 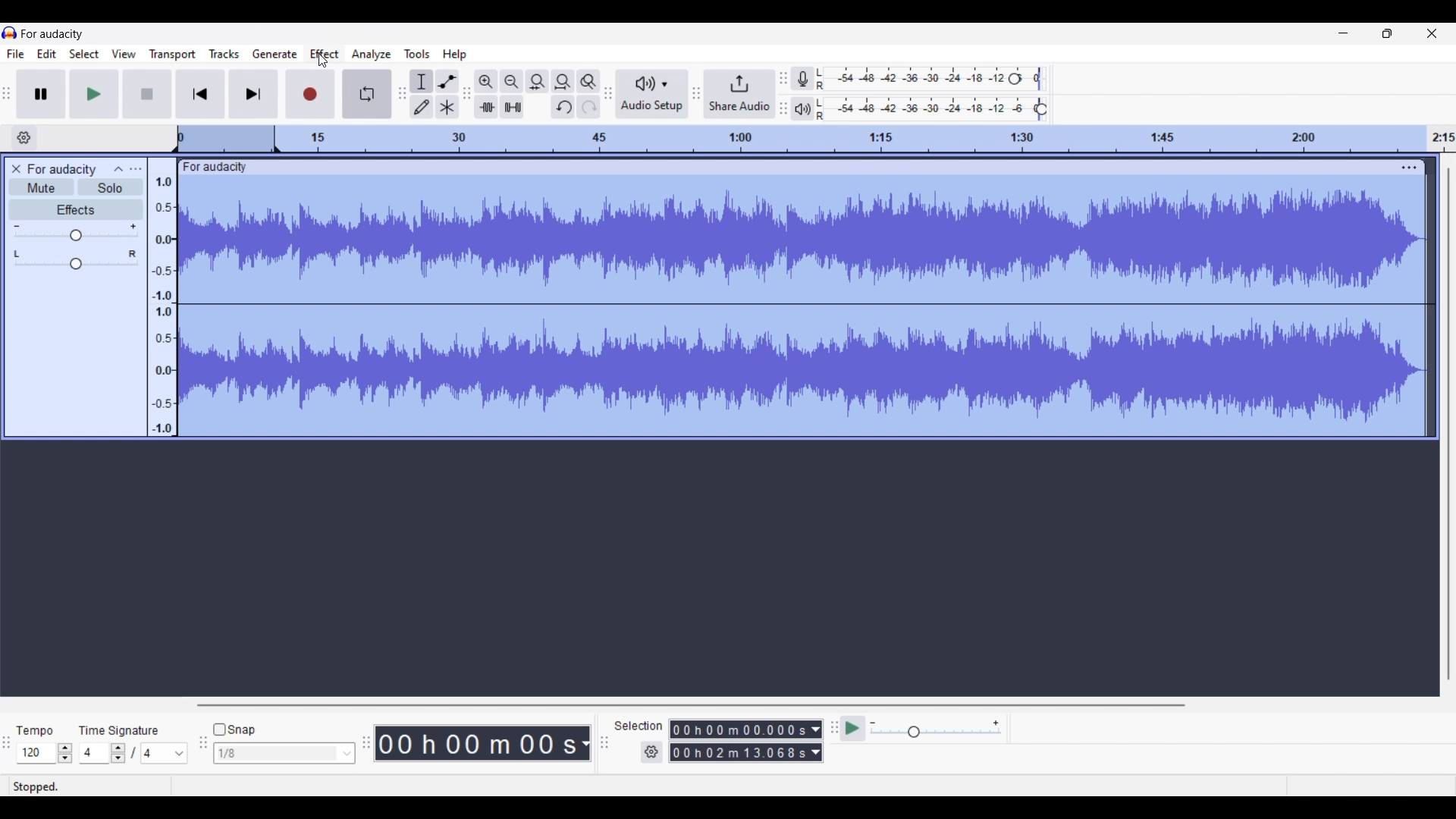 What do you see at coordinates (1042, 109) in the screenshot?
I see `Playback level header` at bounding box center [1042, 109].